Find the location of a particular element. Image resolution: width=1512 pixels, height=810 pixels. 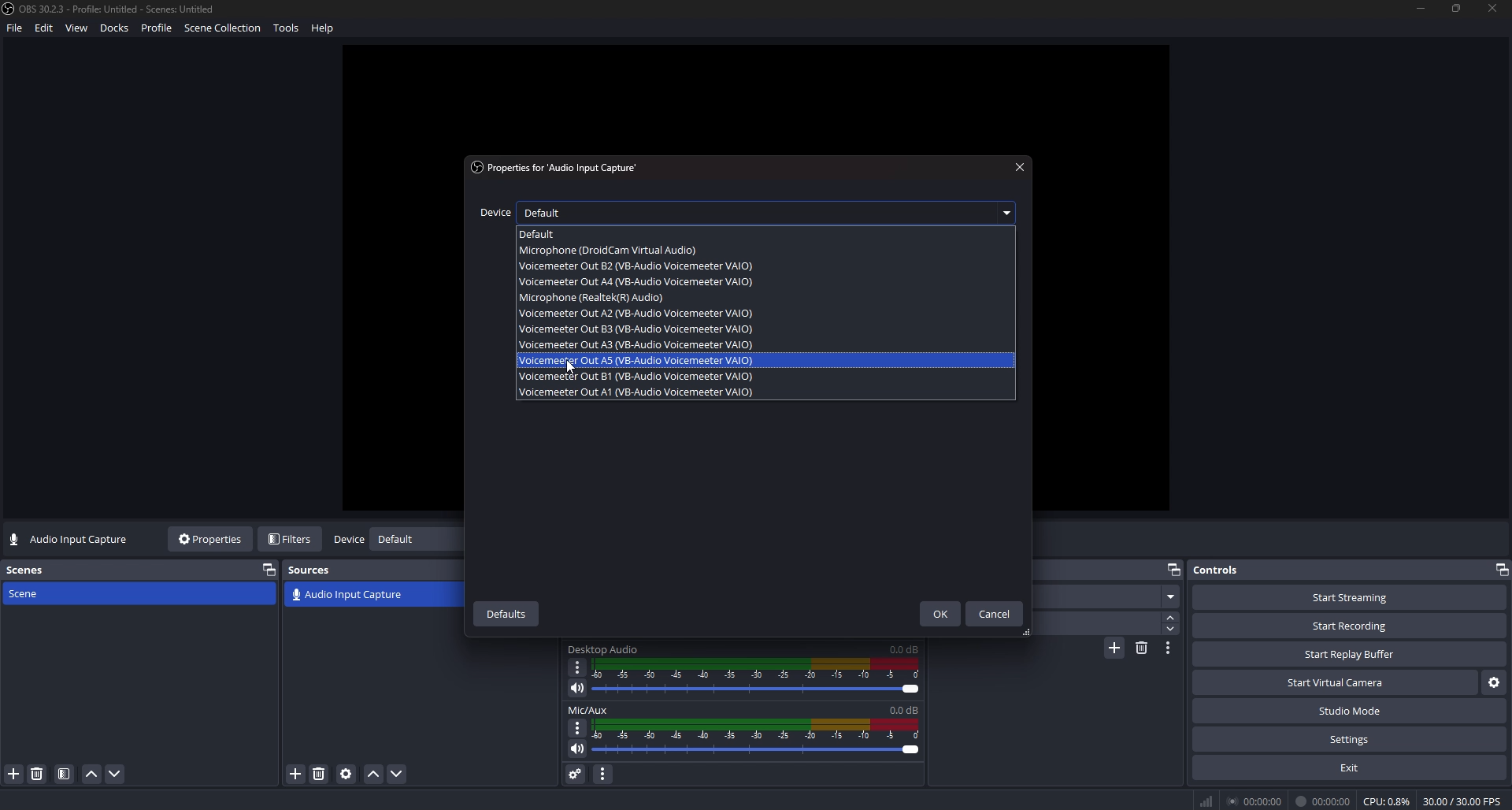

voicemeeter out a4 is located at coordinates (637, 282).